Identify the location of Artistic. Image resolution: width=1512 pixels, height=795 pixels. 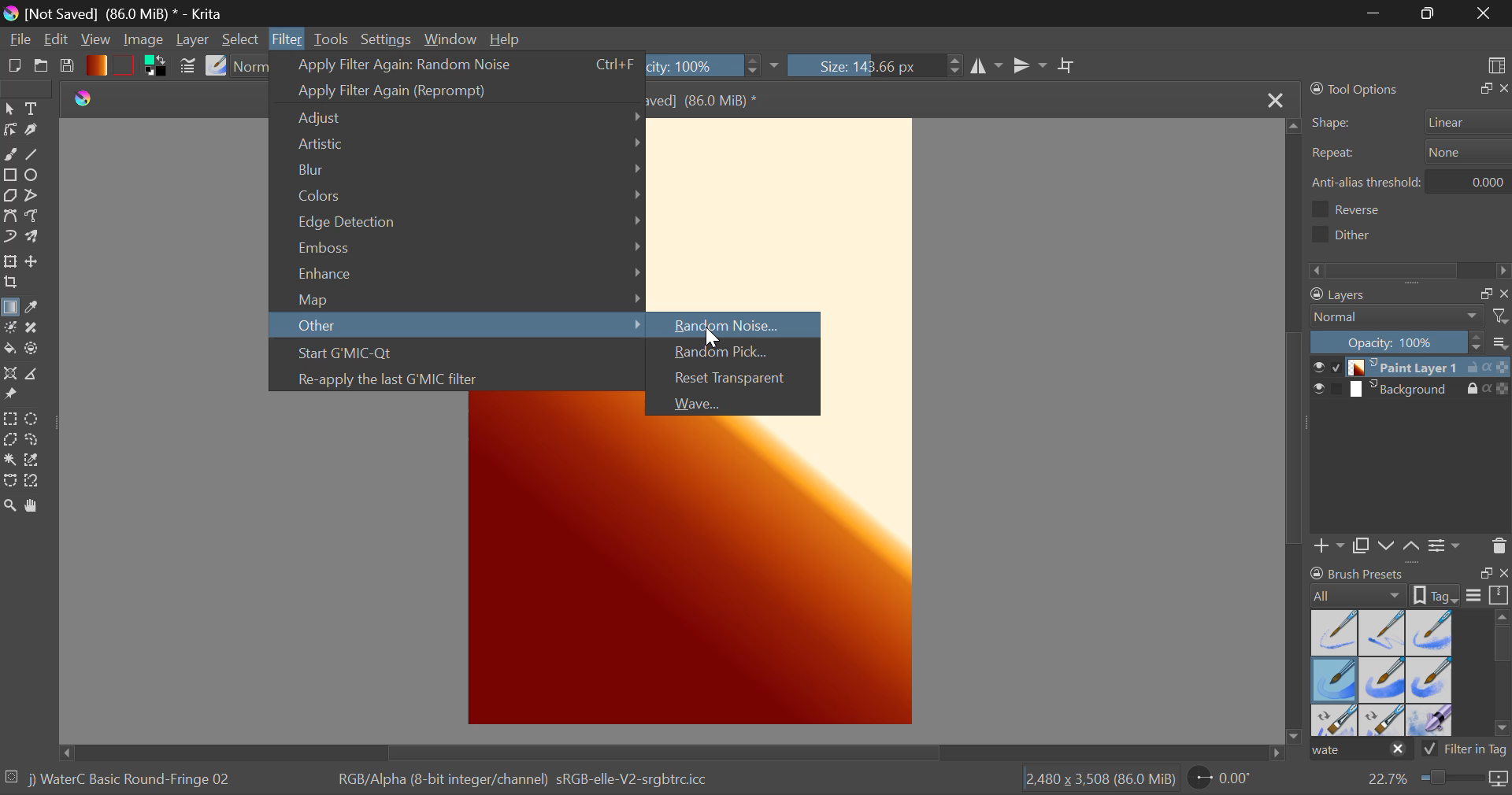
(457, 146).